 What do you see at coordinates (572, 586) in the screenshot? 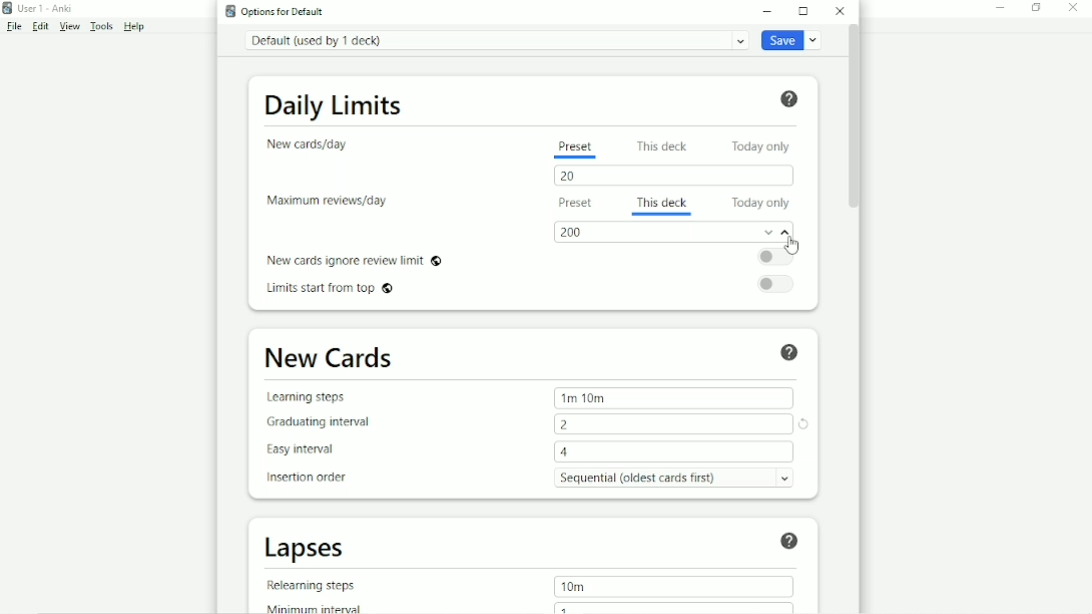
I see `10m` at bounding box center [572, 586].